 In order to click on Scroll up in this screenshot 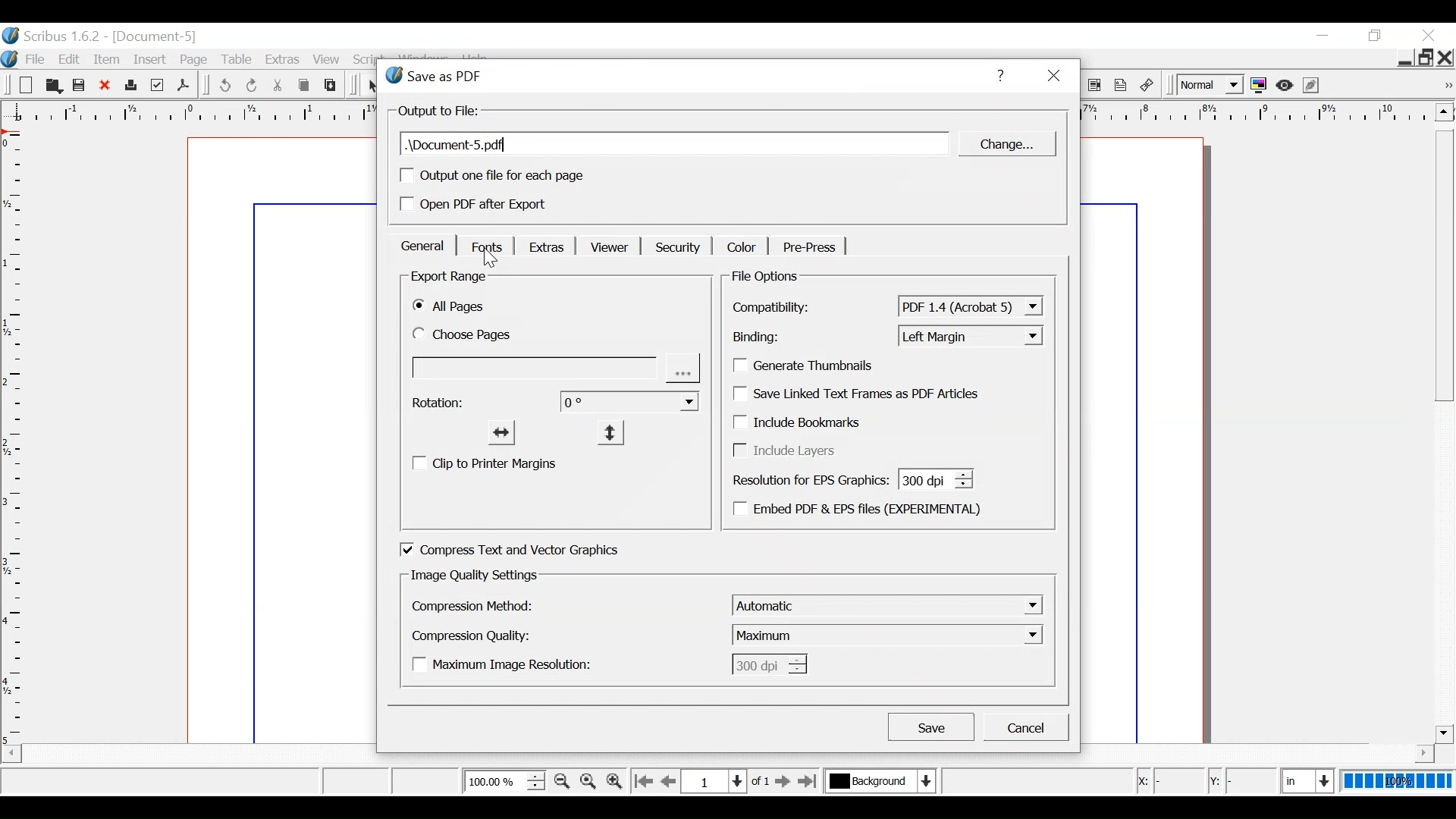, I will do `click(1444, 111)`.